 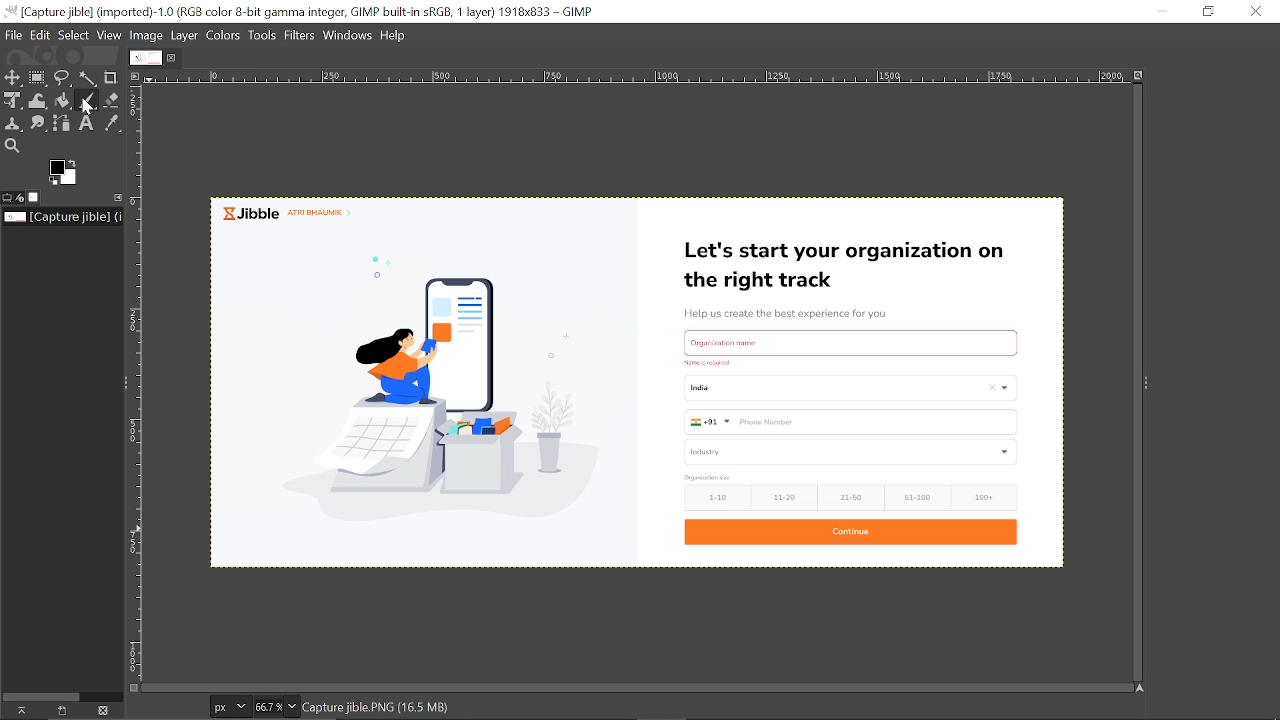 What do you see at coordinates (19, 710) in the screenshot?
I see `Raise this images displays` at bounding box center [19, 710].